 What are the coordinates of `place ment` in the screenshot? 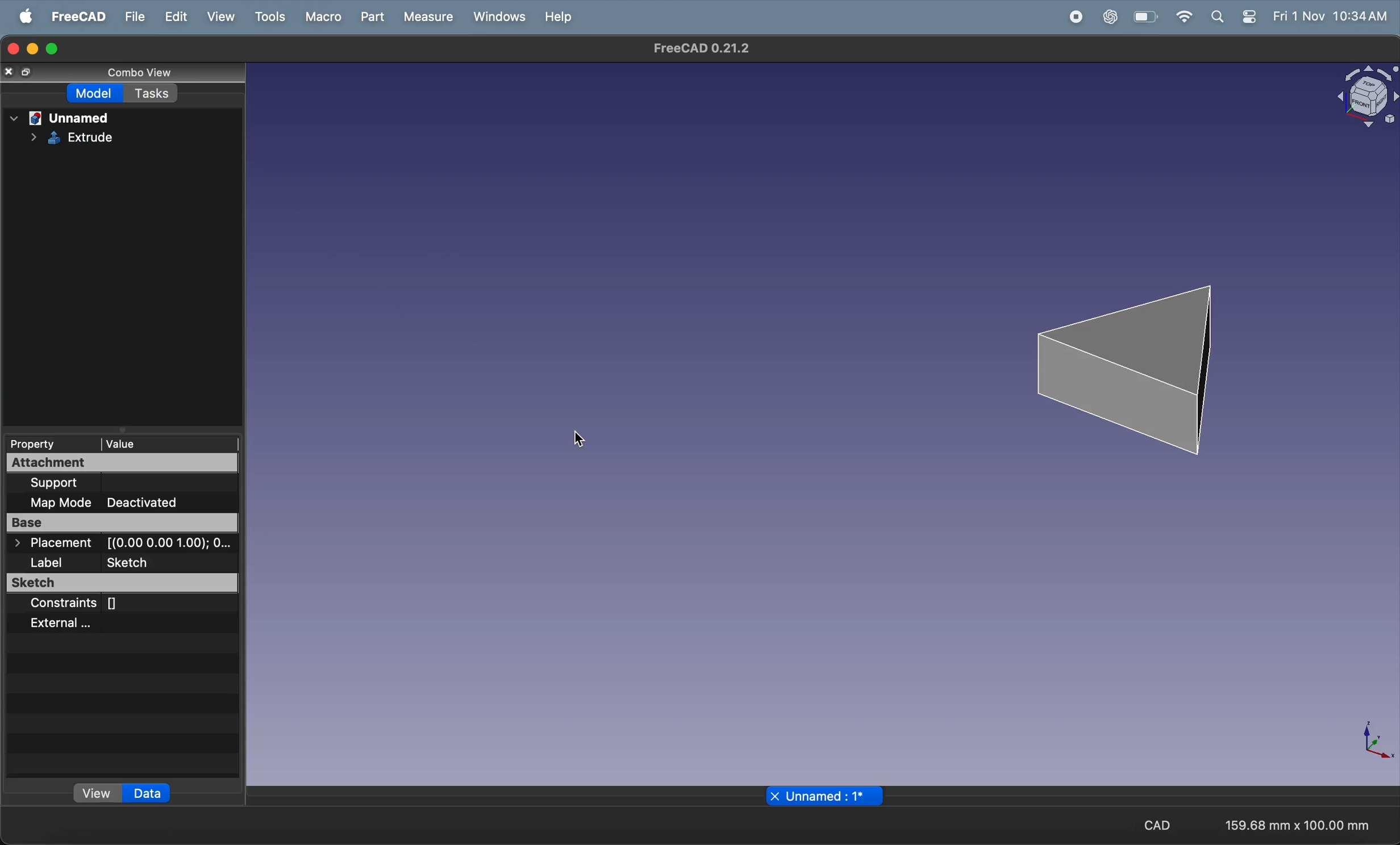 It's located at (124, 544).